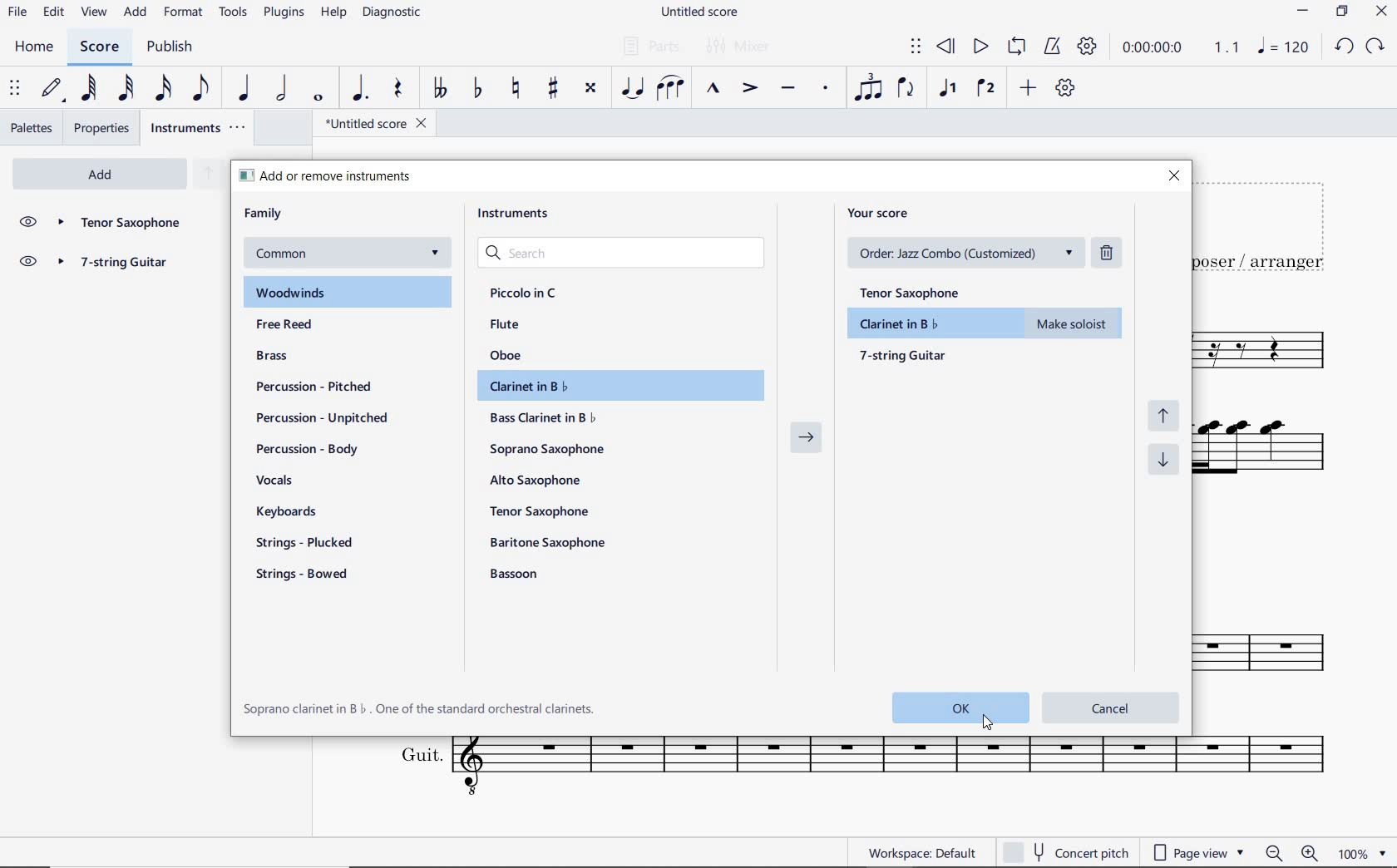  What do you see at coordinates (120, 264) in the screenshot?
I see `7 string guitar` at bounding box center [120, 264].